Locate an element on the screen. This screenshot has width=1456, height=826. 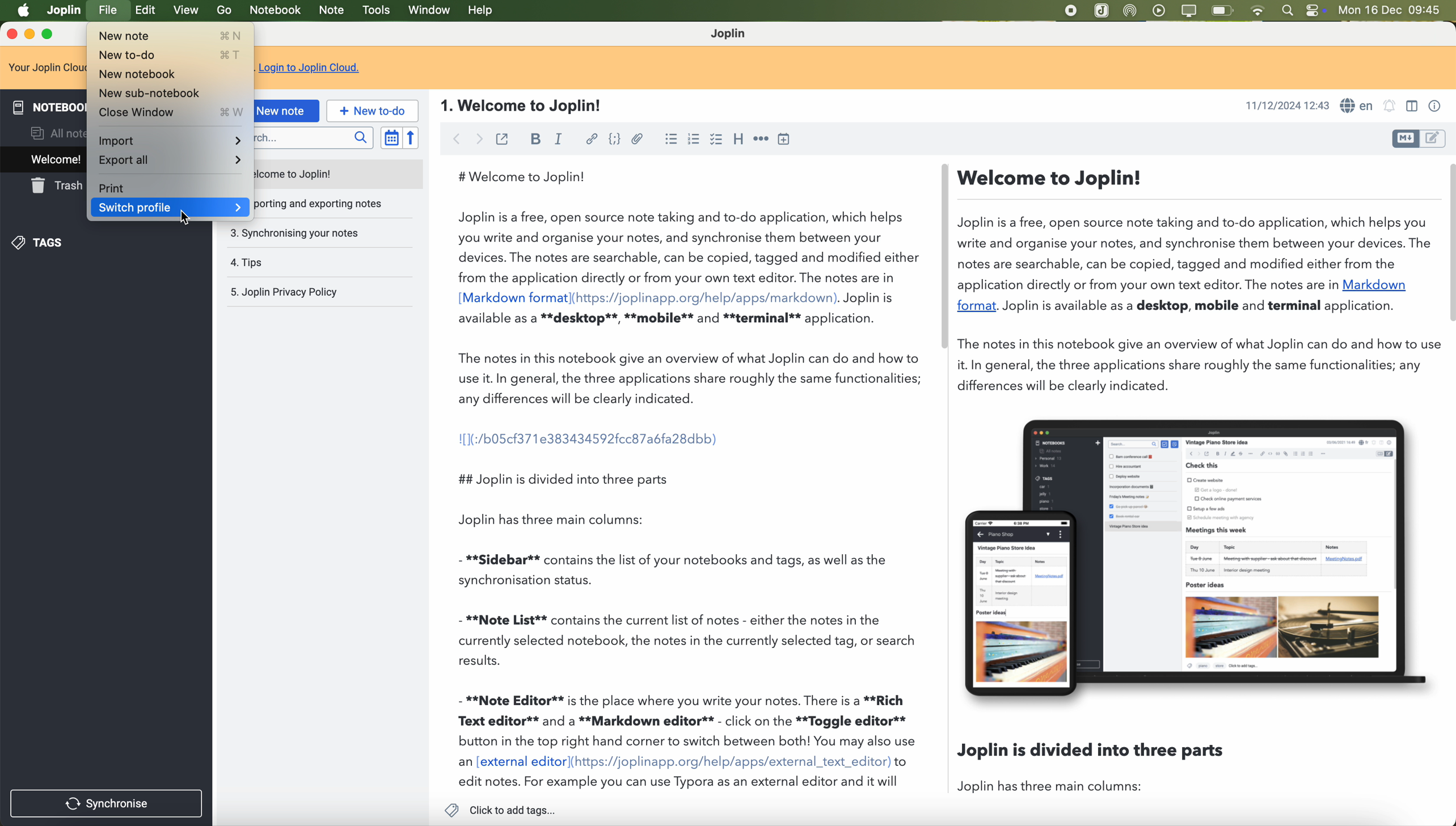
tags is located at coordinates (47, 243).